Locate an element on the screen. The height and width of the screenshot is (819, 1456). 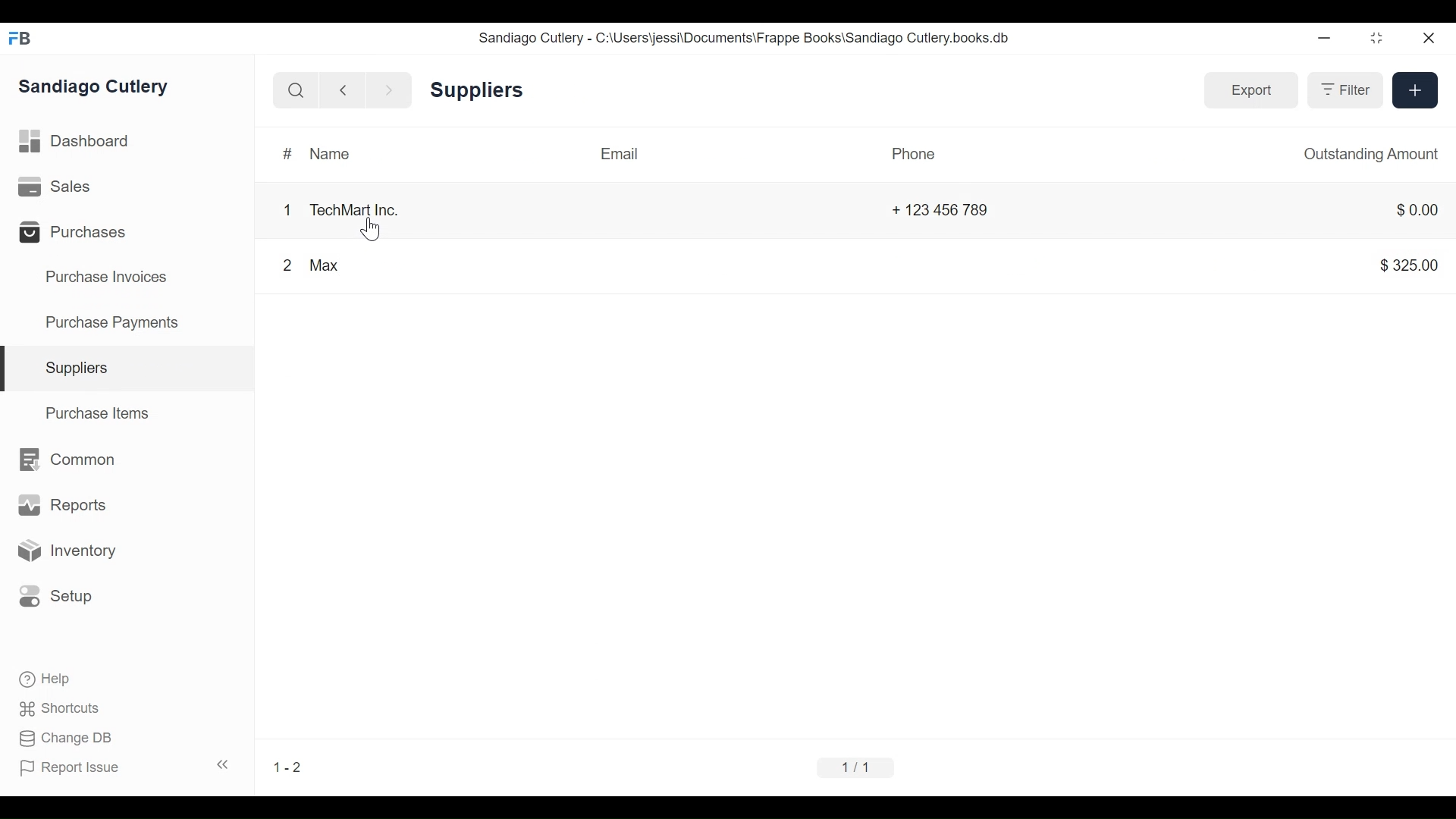
TechMart Inc. is located at coordinates (356, 208).